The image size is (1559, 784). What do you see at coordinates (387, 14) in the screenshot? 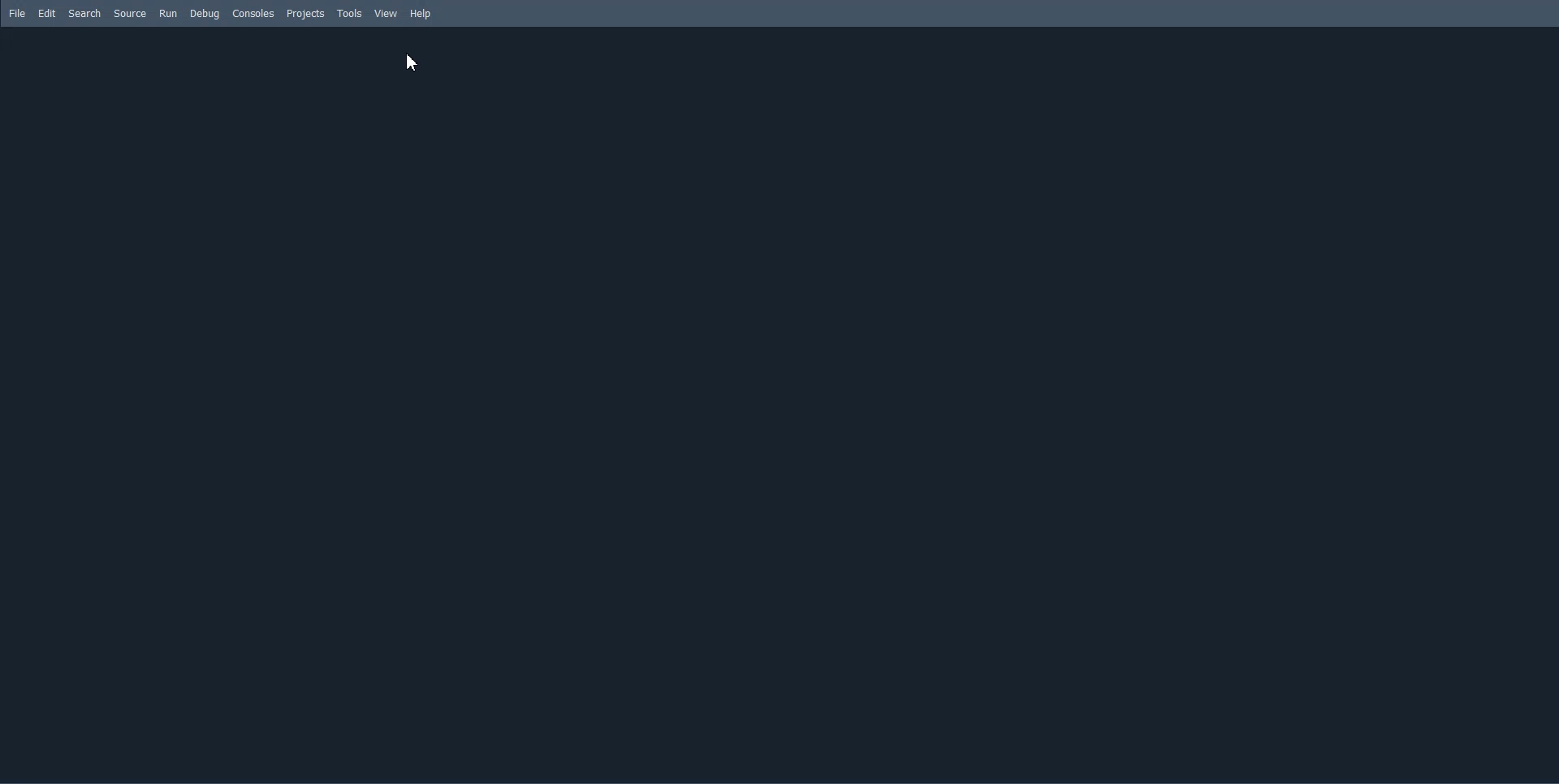
I see `View` at bounding box center [387, 14].